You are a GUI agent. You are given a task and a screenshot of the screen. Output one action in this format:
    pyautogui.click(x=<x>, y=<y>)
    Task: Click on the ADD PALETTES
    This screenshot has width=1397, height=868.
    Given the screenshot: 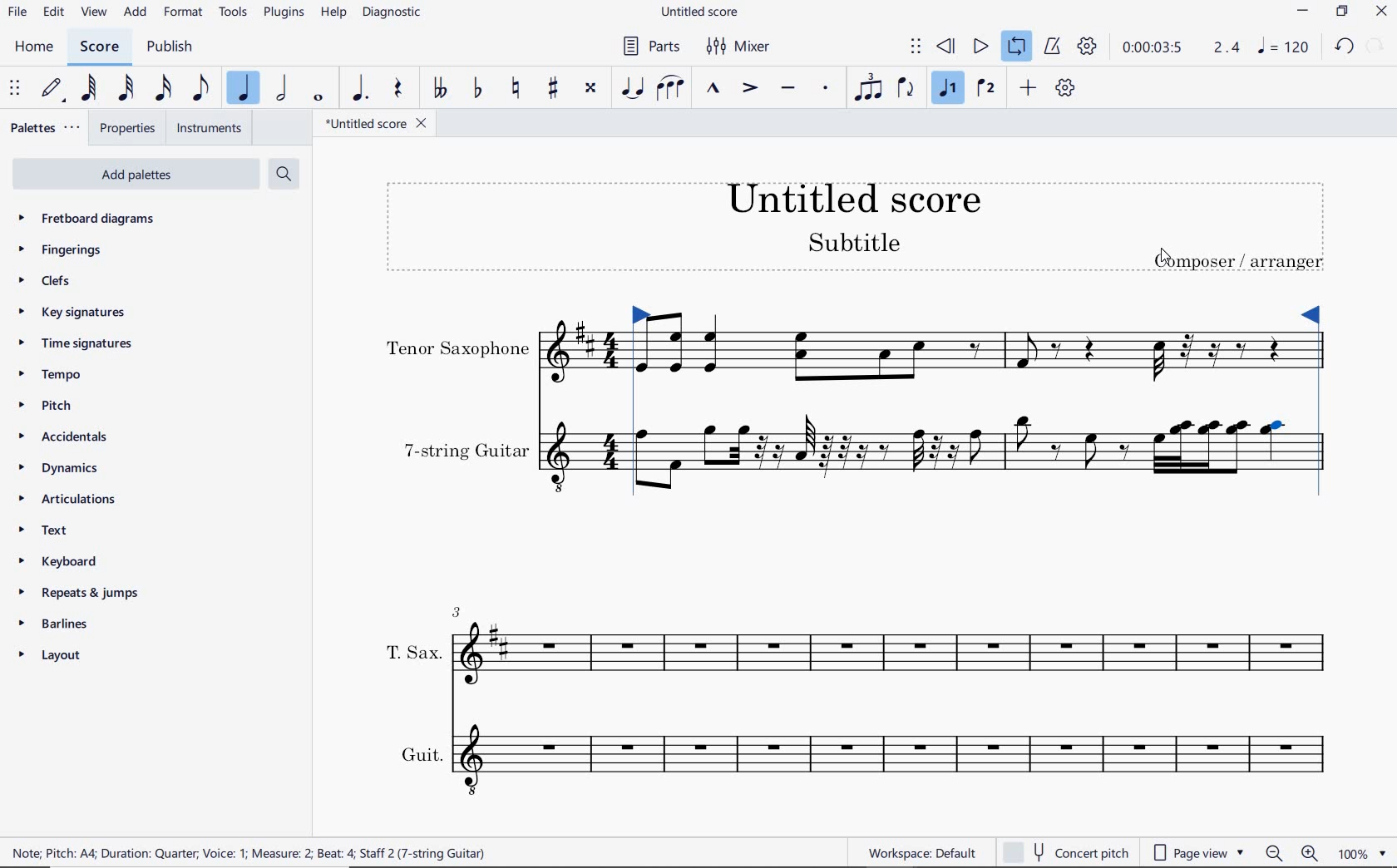 What is the action you would take?
    pyautogui.click(x=140, y=175)
    